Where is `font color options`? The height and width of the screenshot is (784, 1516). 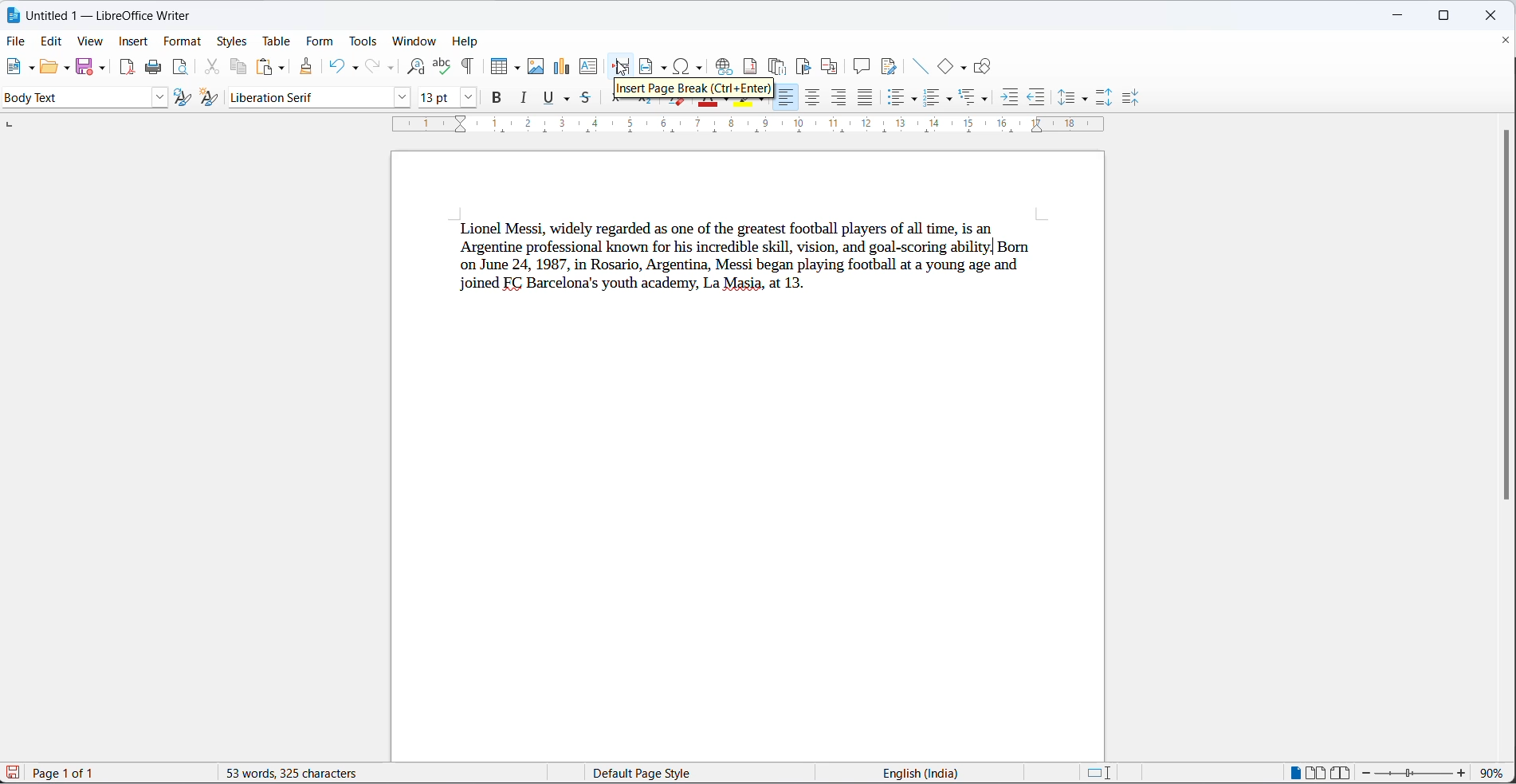
font color options is located at coordinates (730, 99).